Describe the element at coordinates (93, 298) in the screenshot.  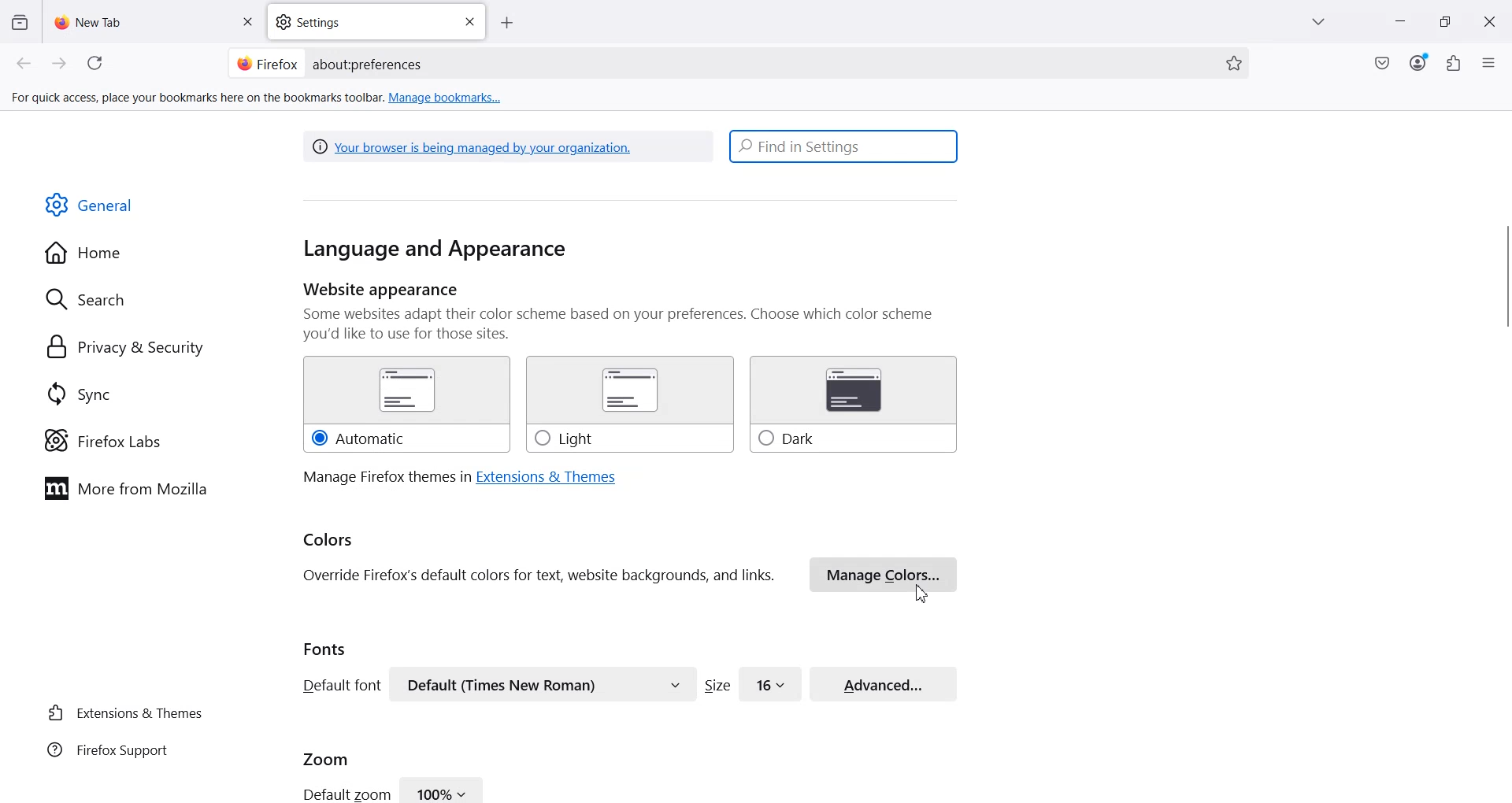
I see `Q Search` at that location.